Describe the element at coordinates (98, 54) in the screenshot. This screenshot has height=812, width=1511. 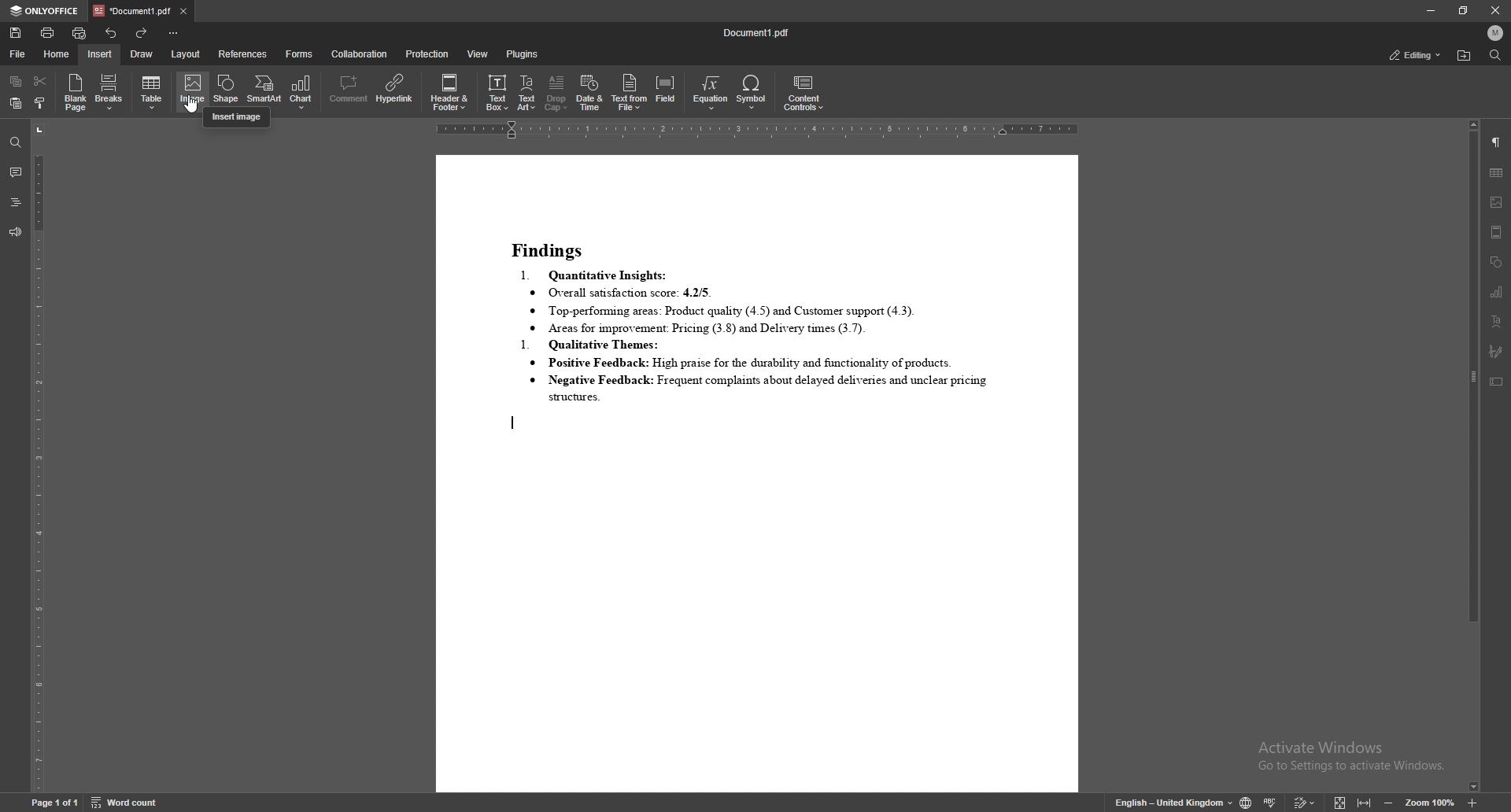
I see `insert` at that location.